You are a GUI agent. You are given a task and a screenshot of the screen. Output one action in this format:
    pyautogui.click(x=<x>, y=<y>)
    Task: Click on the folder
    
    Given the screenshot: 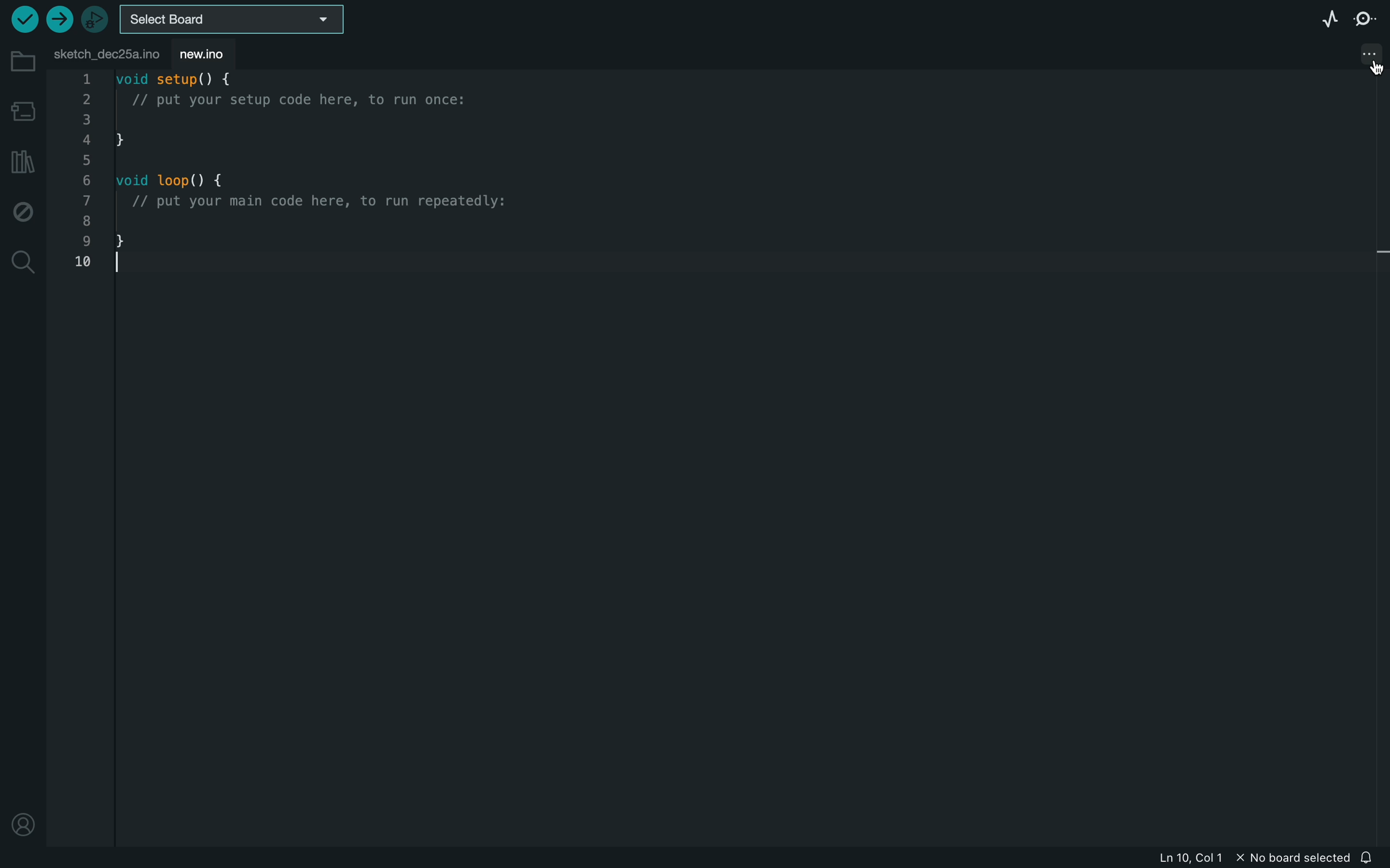 What is the action you would take?
    pyautogui.click(x=21, y=61)
    